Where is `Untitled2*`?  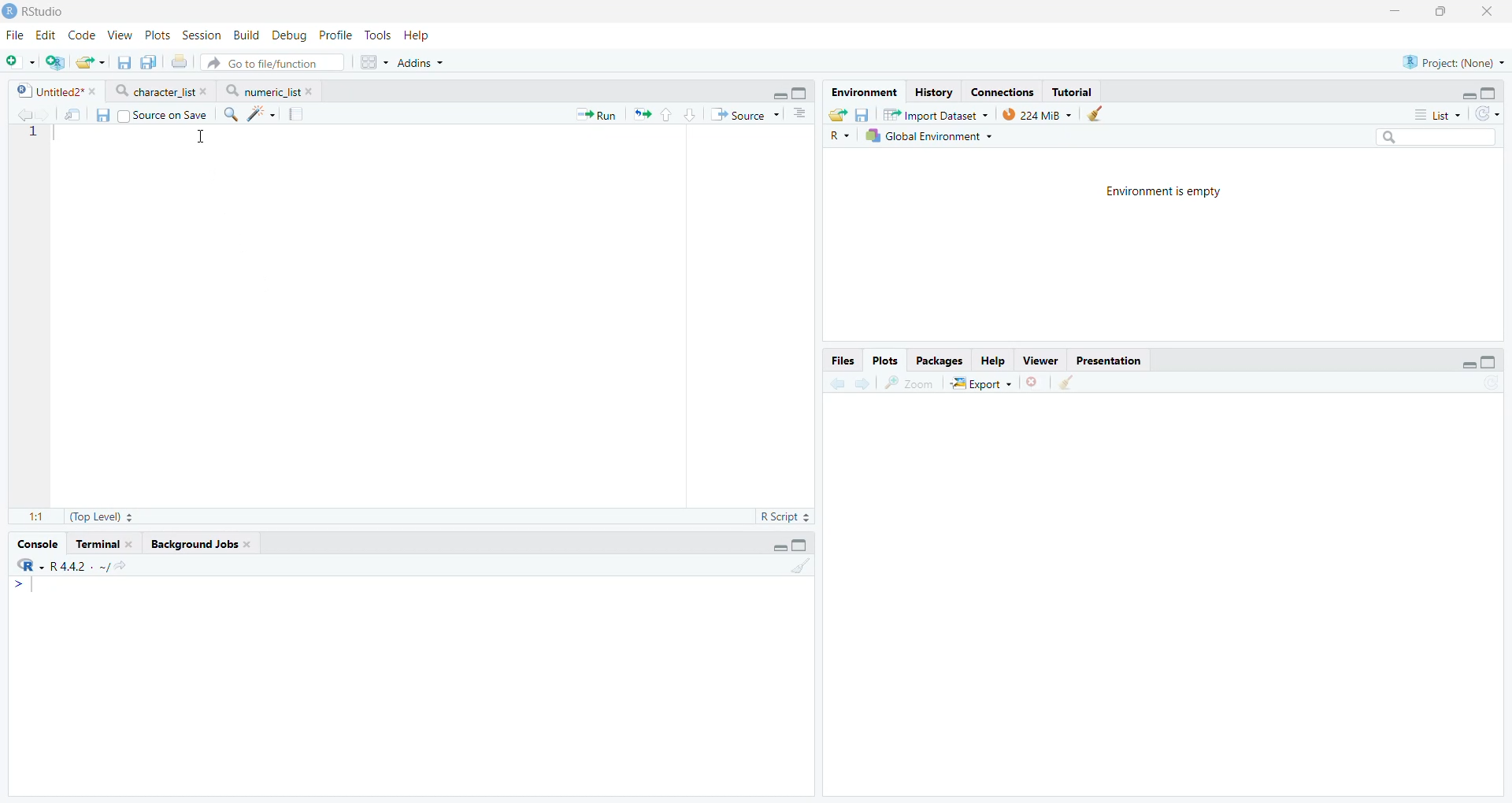
Untitled2* is located at coordinates (54, 90).